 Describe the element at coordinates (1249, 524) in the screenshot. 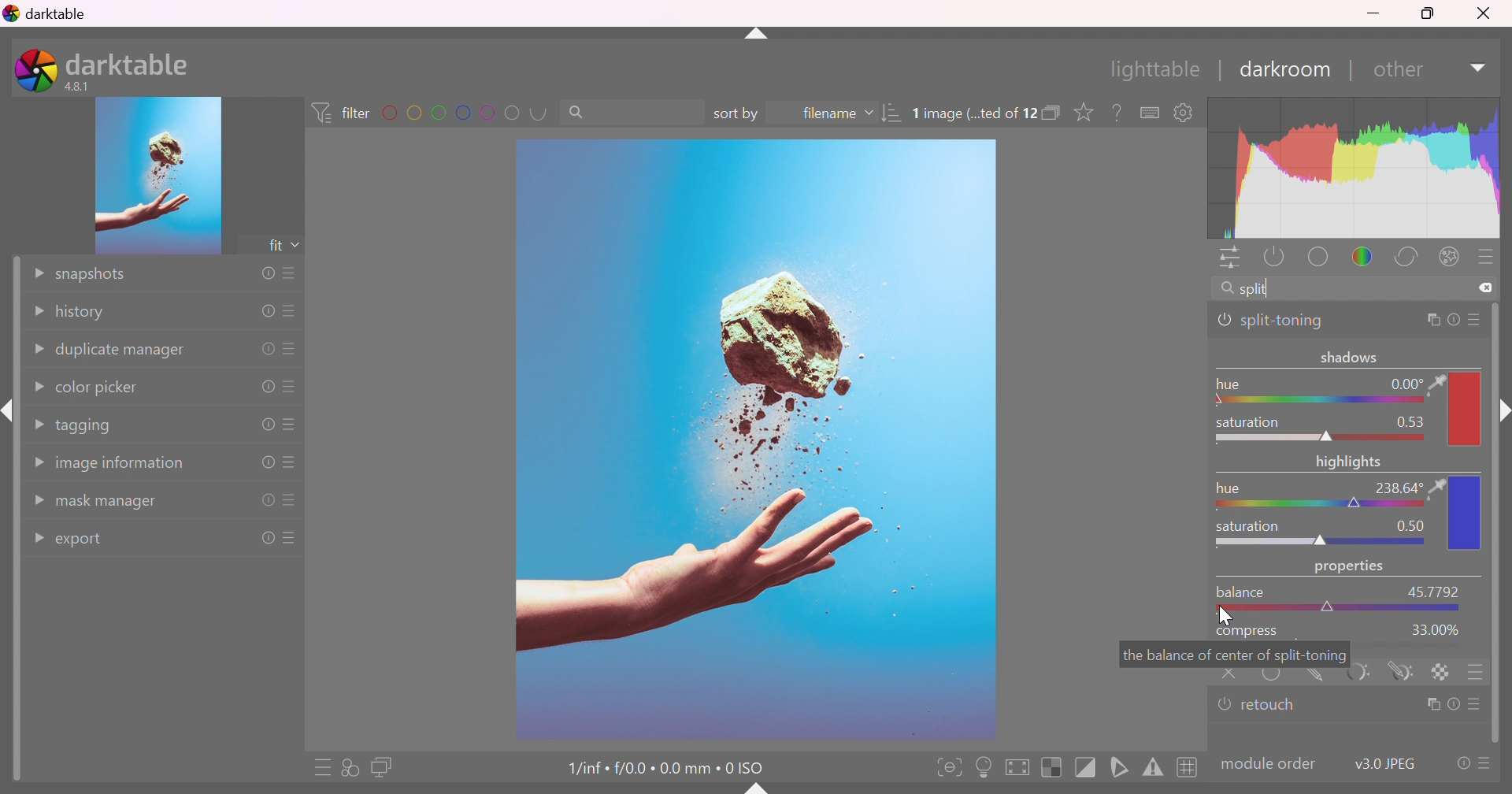

I see `saturation` at that location.